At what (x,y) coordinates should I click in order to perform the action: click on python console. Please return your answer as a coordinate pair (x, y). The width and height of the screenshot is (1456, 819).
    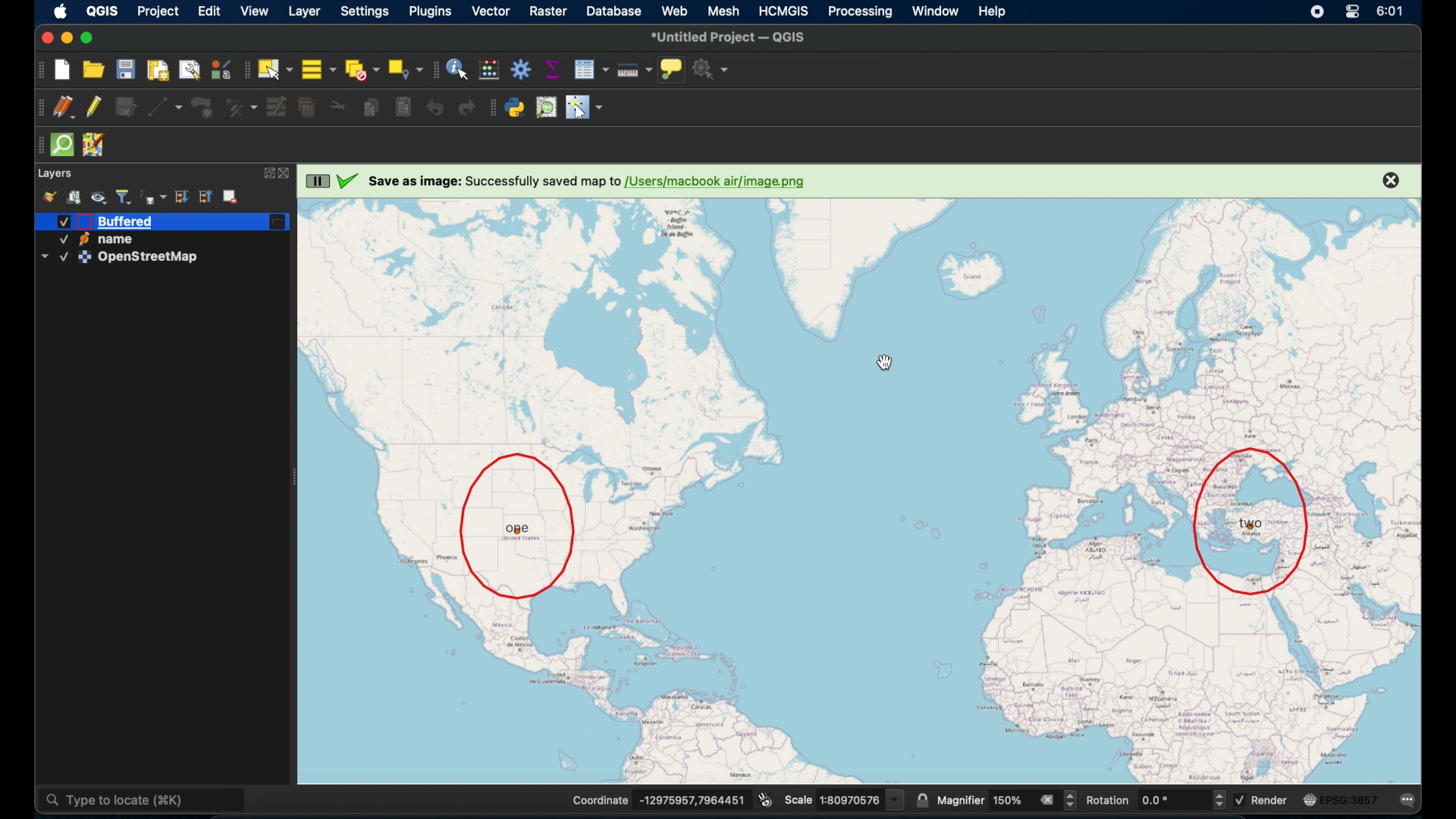
    Looking at the image, I should click on (515, 108).